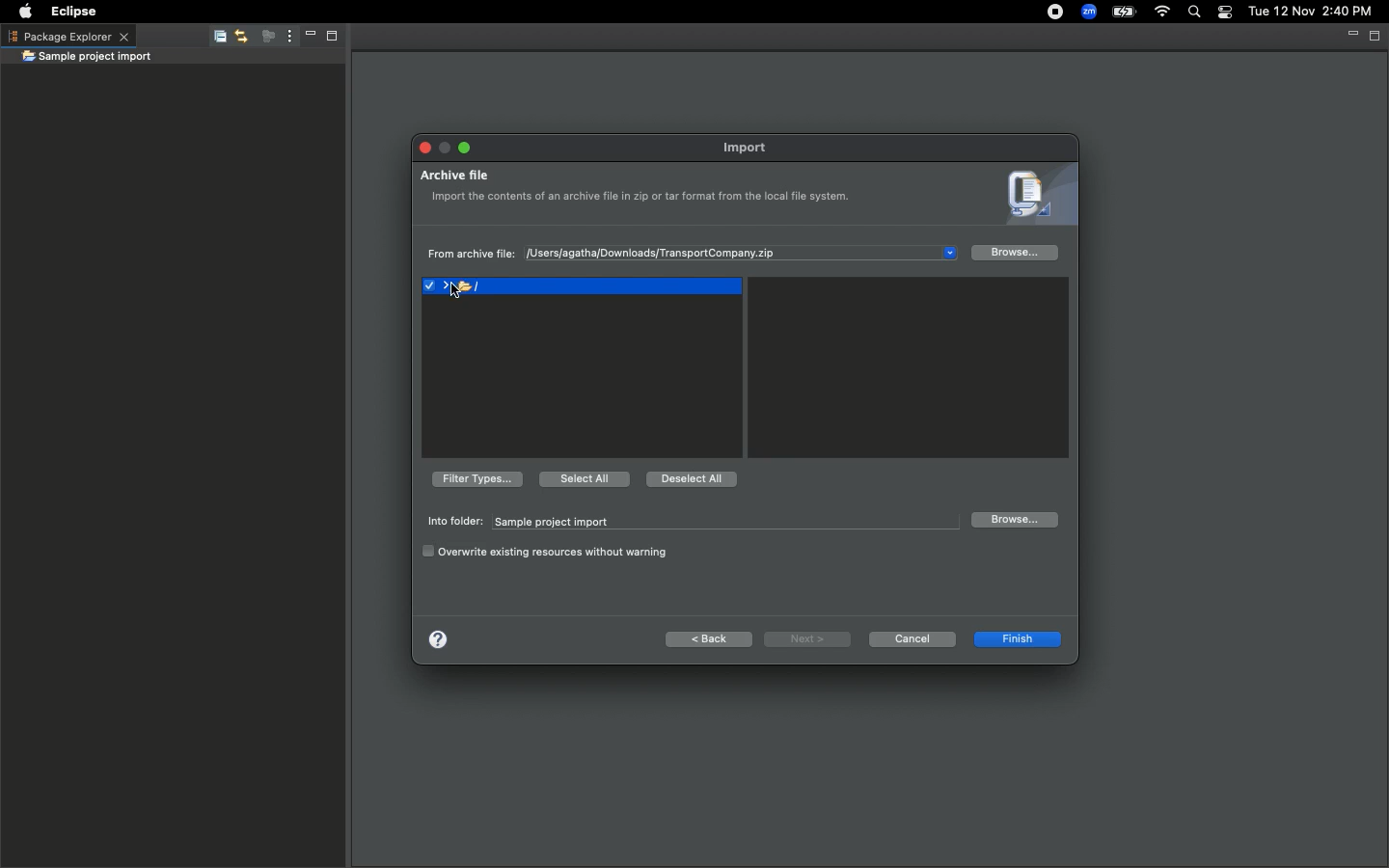 The image size is (1389, 868). I want to click on From archive file: /Users/agatha/Downloads/TransportCompany.zip., so click(639, 255).